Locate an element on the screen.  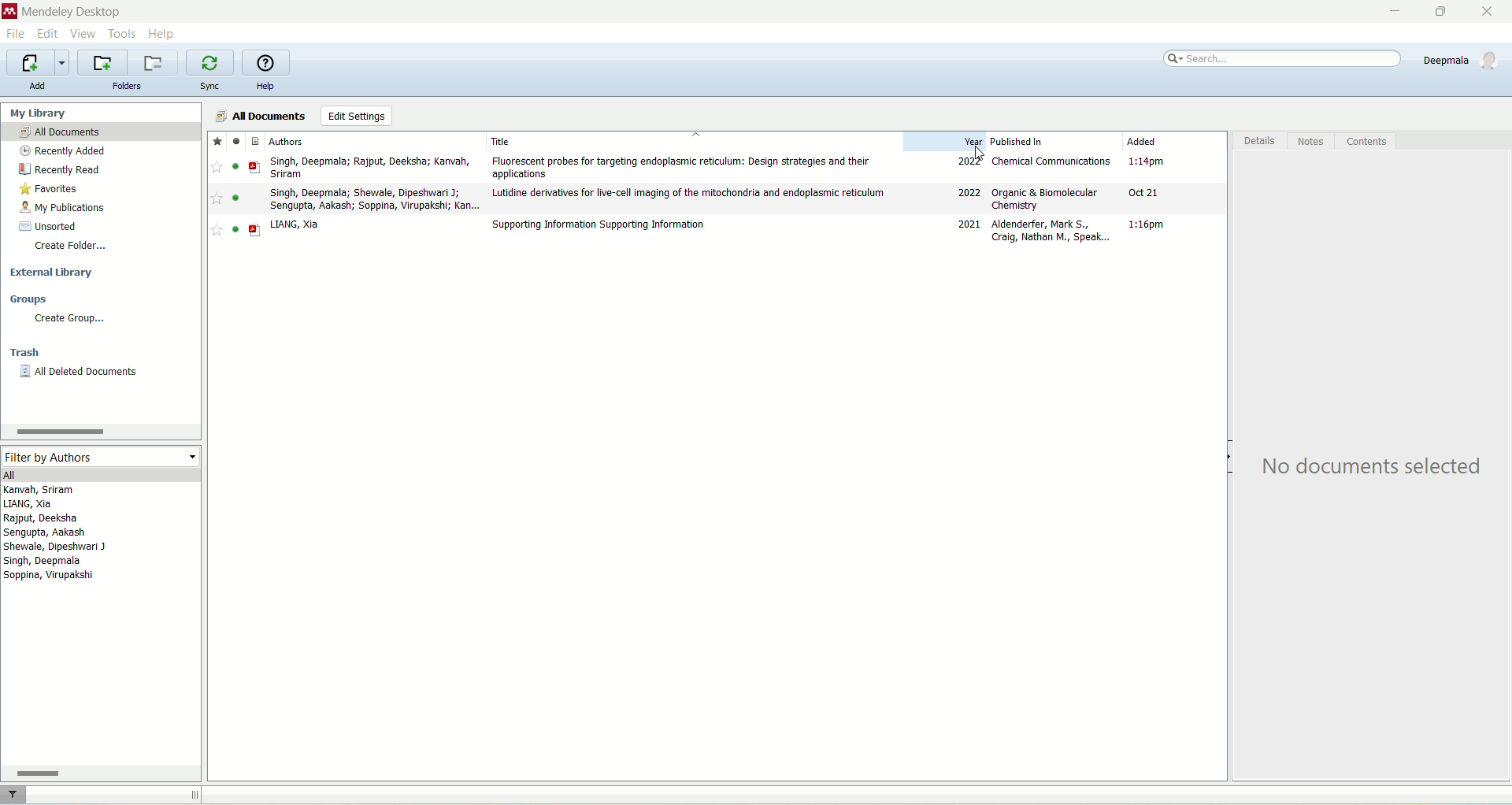
details is located at coordinates (1261, 142).